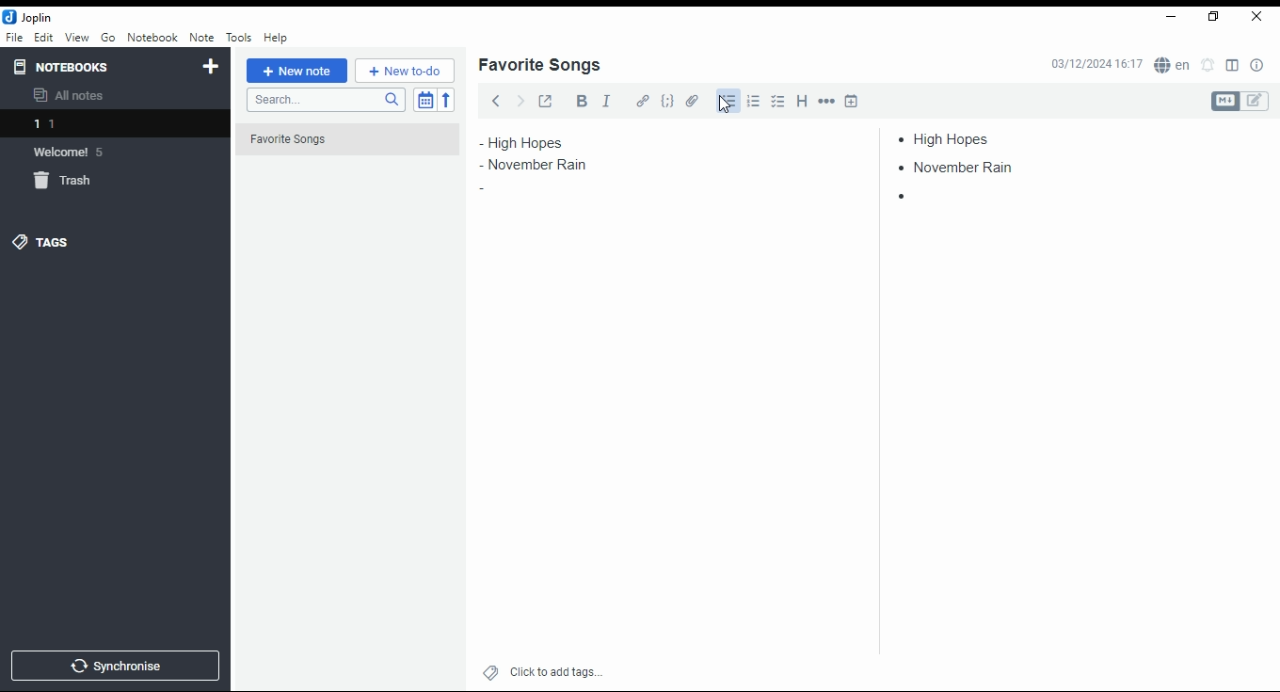 This screenshot has width=1280, height=692. I want to click on close window, so click(1258, 17).